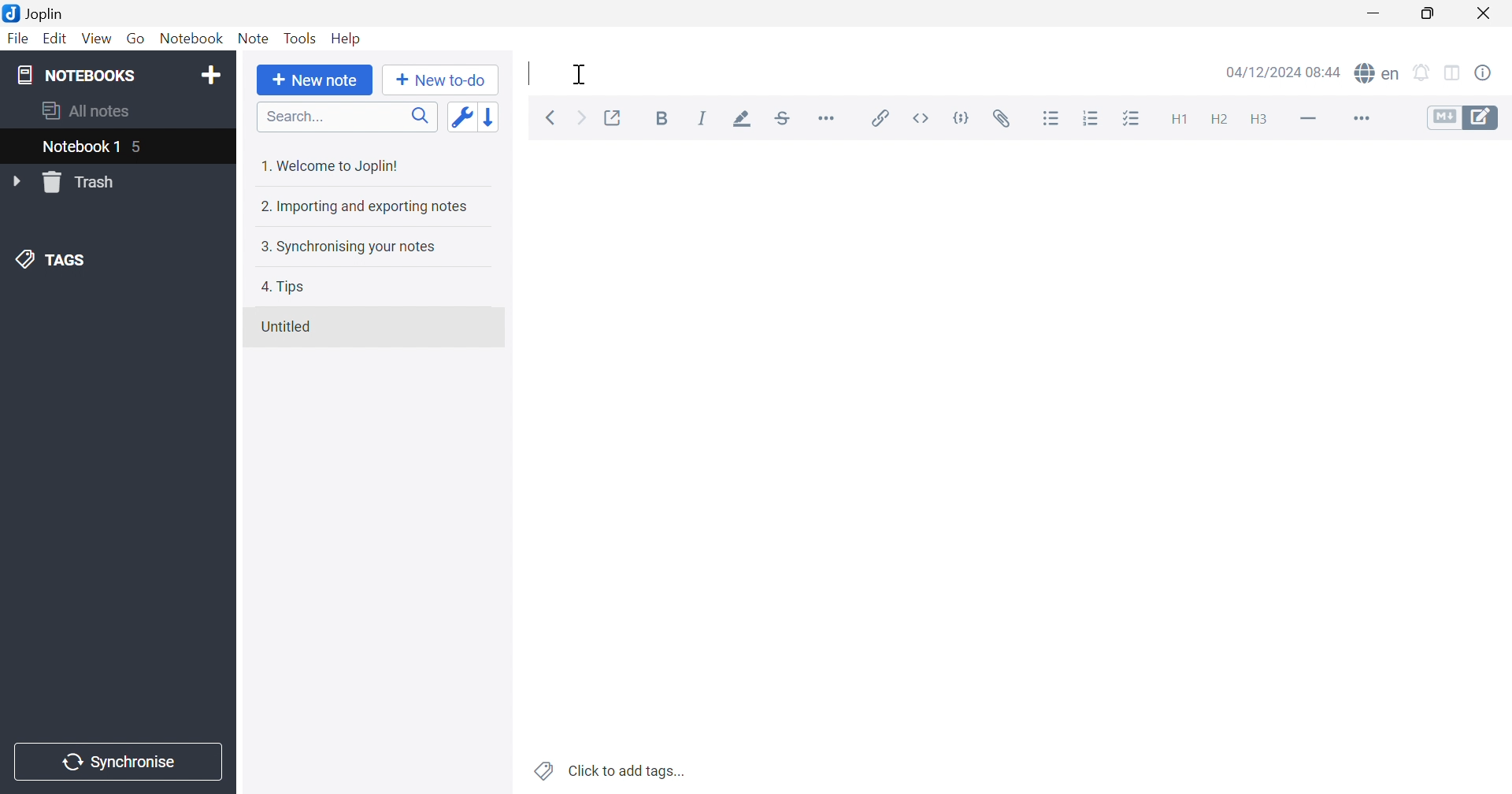 The height and width of the screenshot is (794, 1512). I want to click on Close, so click(1486, 12).